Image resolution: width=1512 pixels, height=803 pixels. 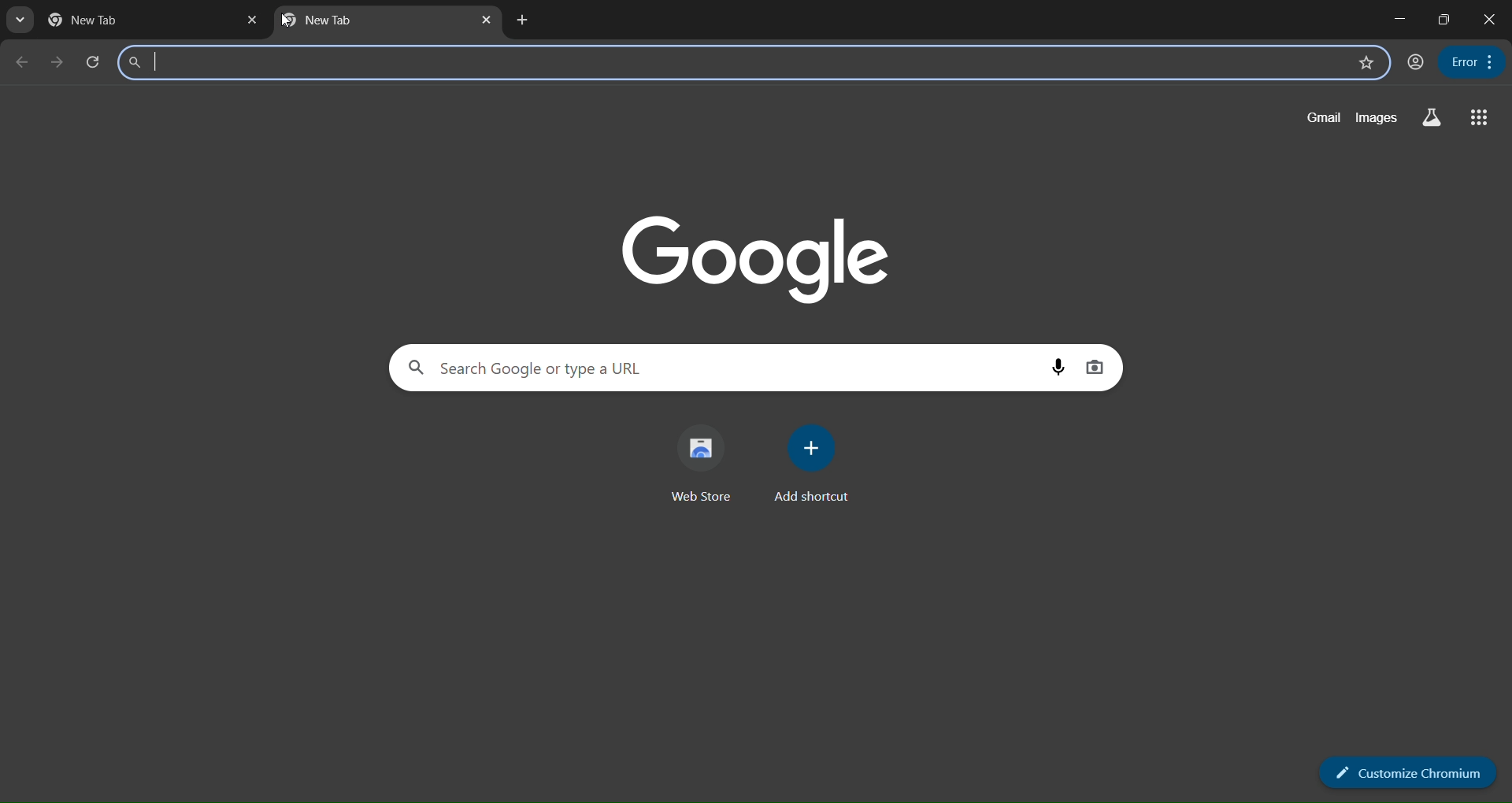 What do you see at coordinates (381, 21) in the screenshot?
I see `new tab` at bounding box center [381, 21].